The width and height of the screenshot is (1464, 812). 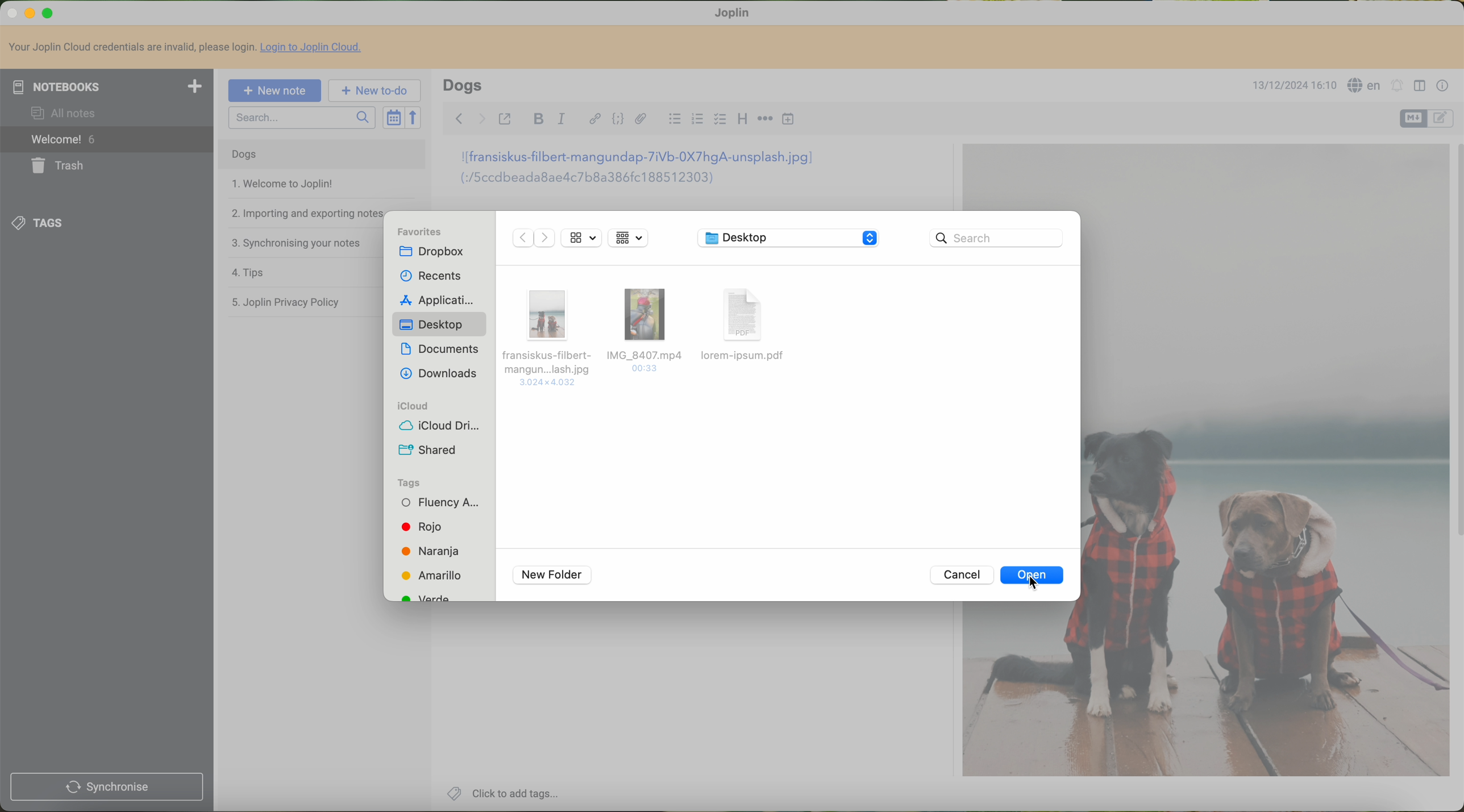 What do you see at coordinates (1455, 345) in the screenshot?
I see `scroll bar` at bounding box center [1455, 345].